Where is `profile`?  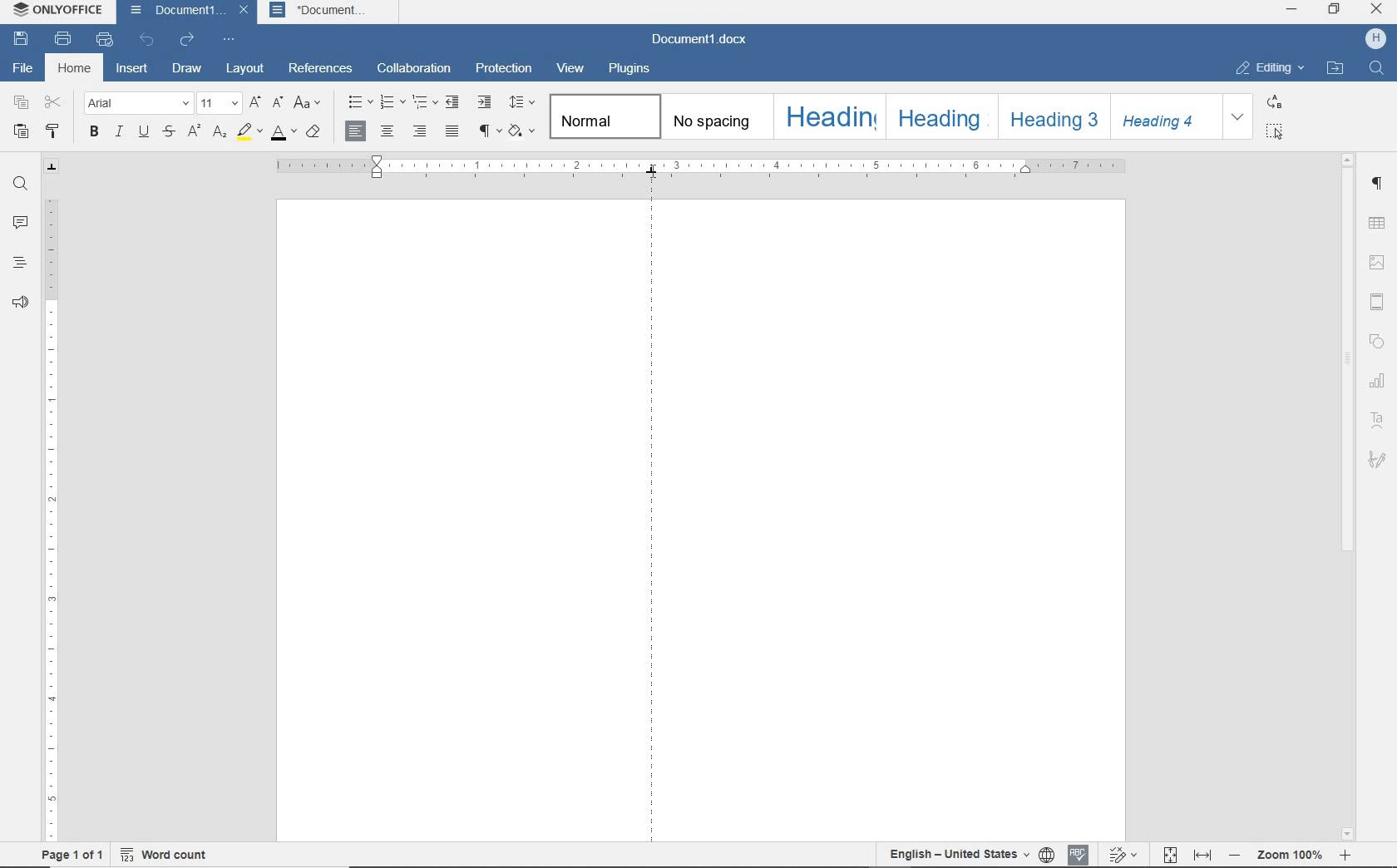
profile is located at coordinates (1374, 37).